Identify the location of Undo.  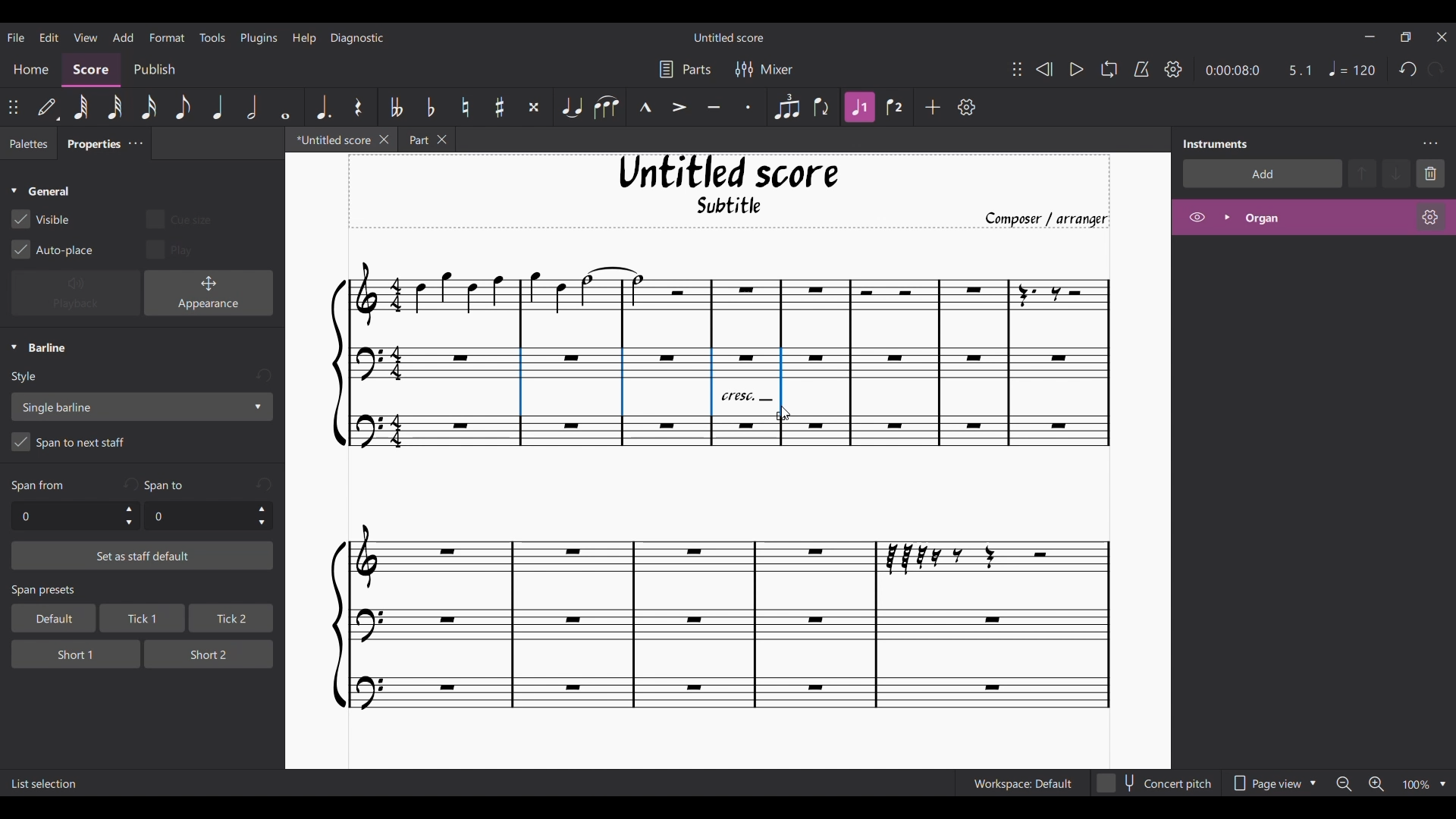
(1408, 70).